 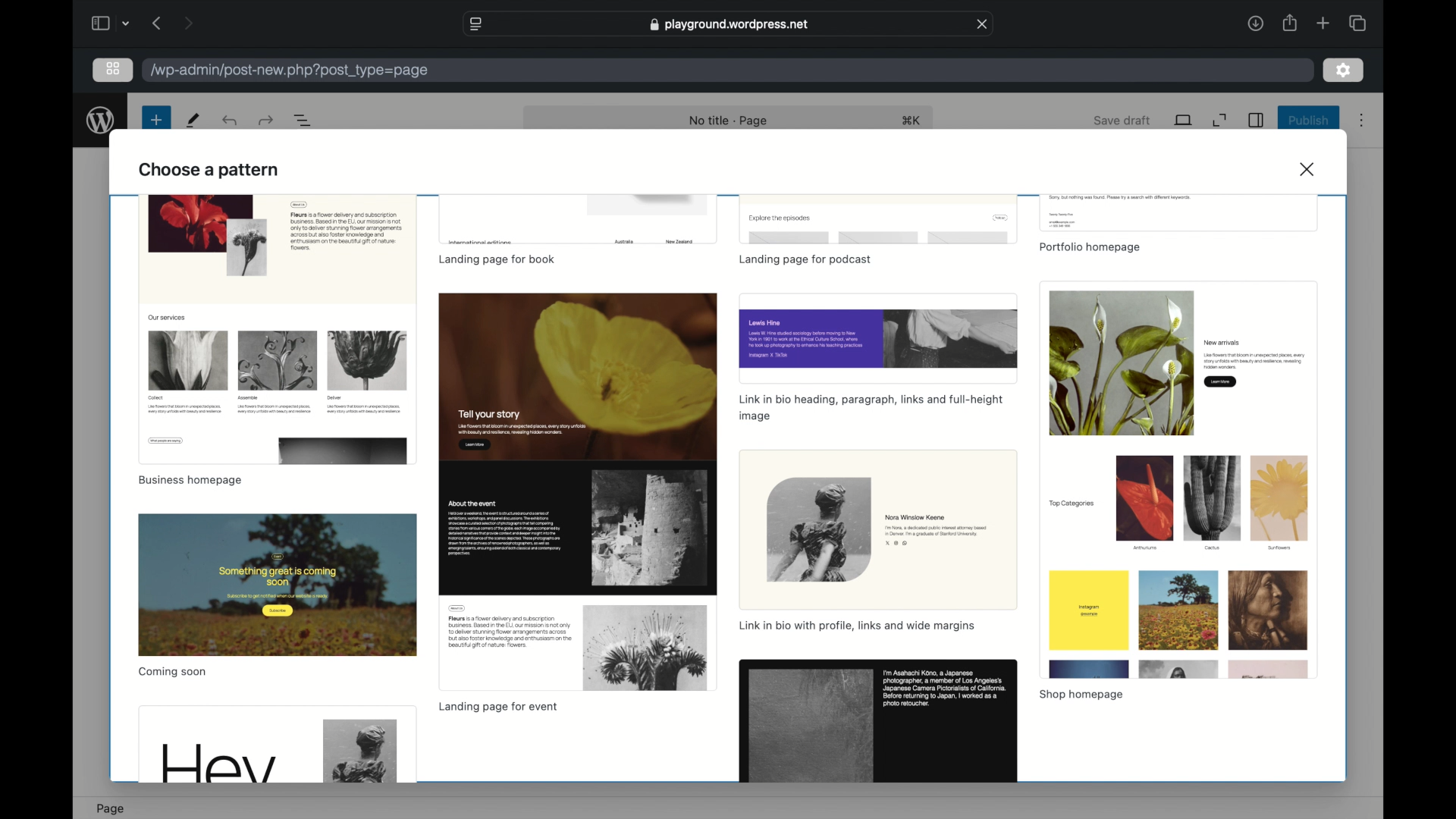 What do you see at coordinates (730, 121) in the screenshot?
I see `nob title - page` at bounding box center [730, 121].